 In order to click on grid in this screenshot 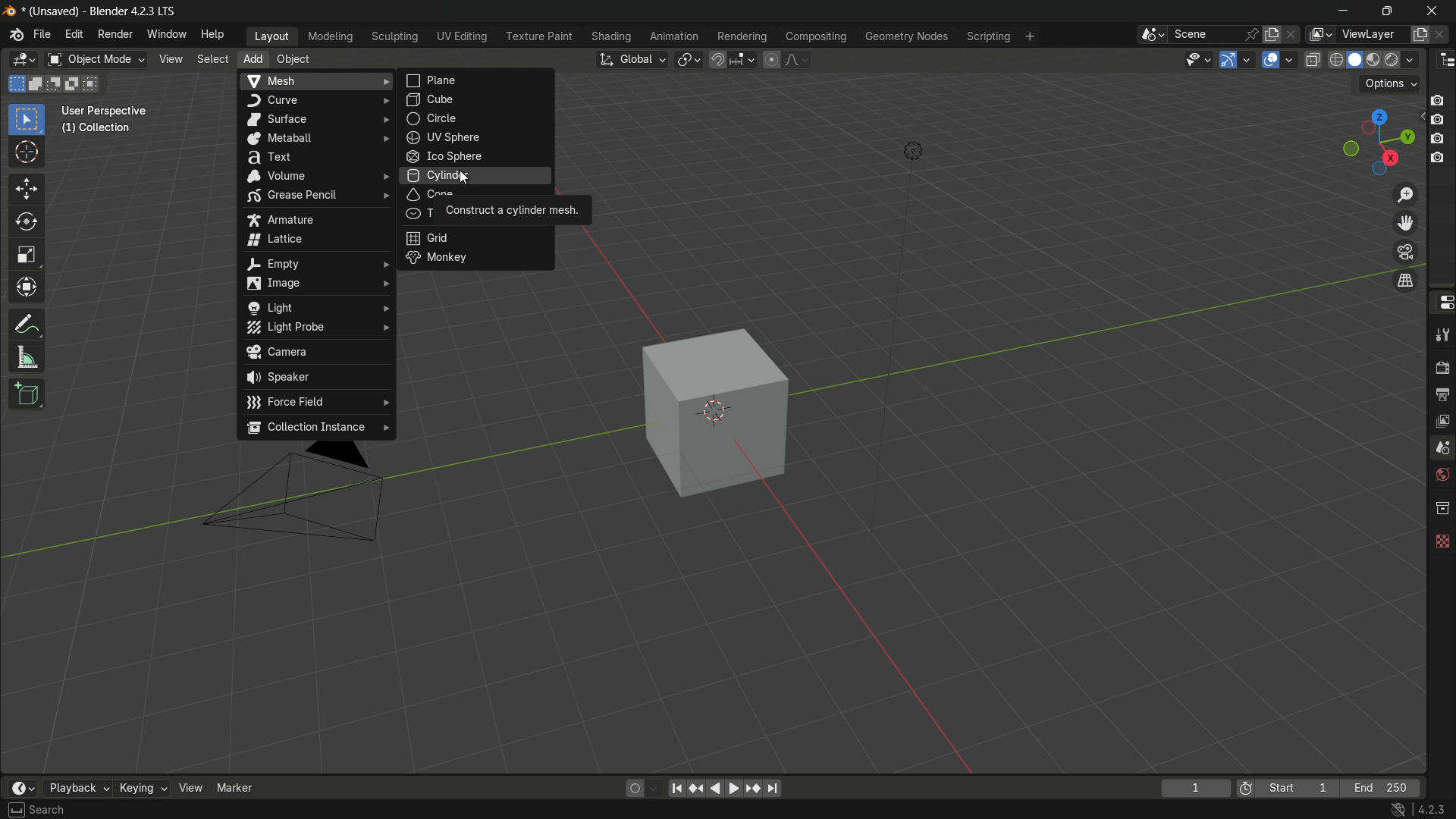, I will do `click(475, 237)`.